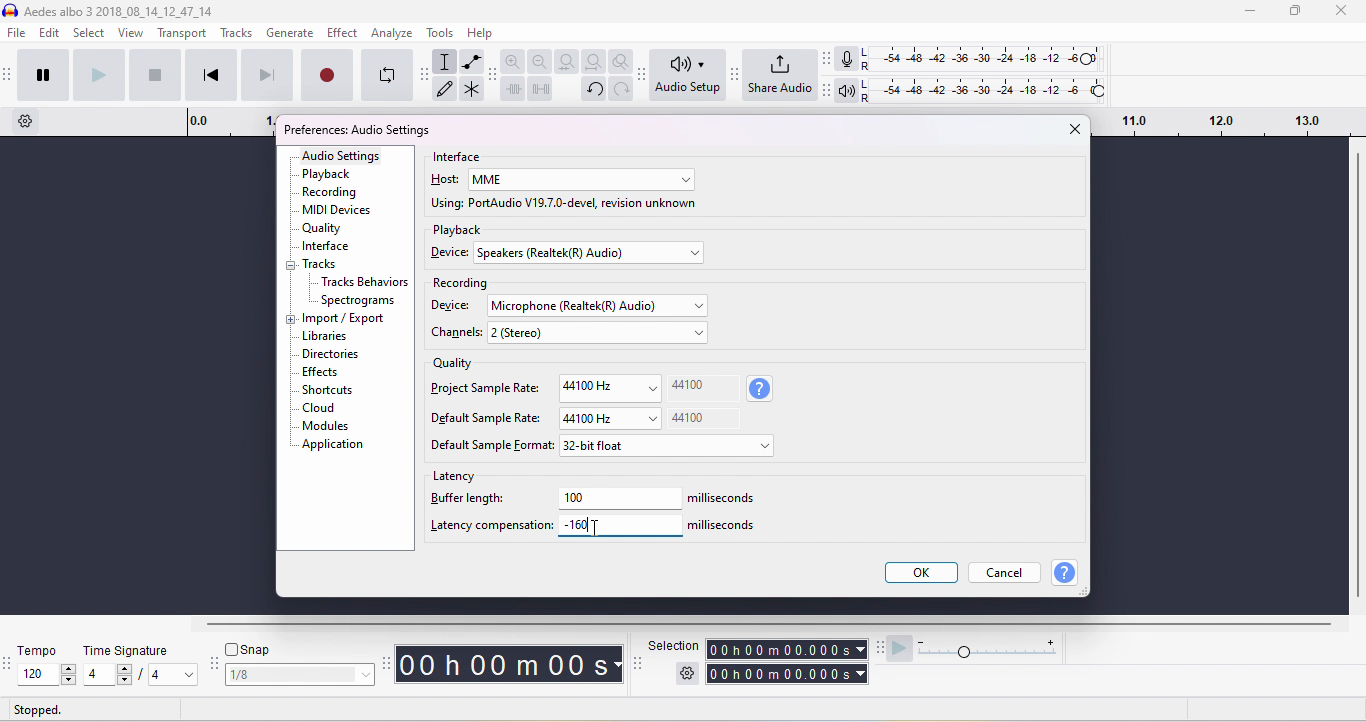 The height and width of the screenshot is (722, 1366). What do you see at coordinates (516, 92) in the screenshot?
I see `trim outside slection` at bounding box center [516, 92].